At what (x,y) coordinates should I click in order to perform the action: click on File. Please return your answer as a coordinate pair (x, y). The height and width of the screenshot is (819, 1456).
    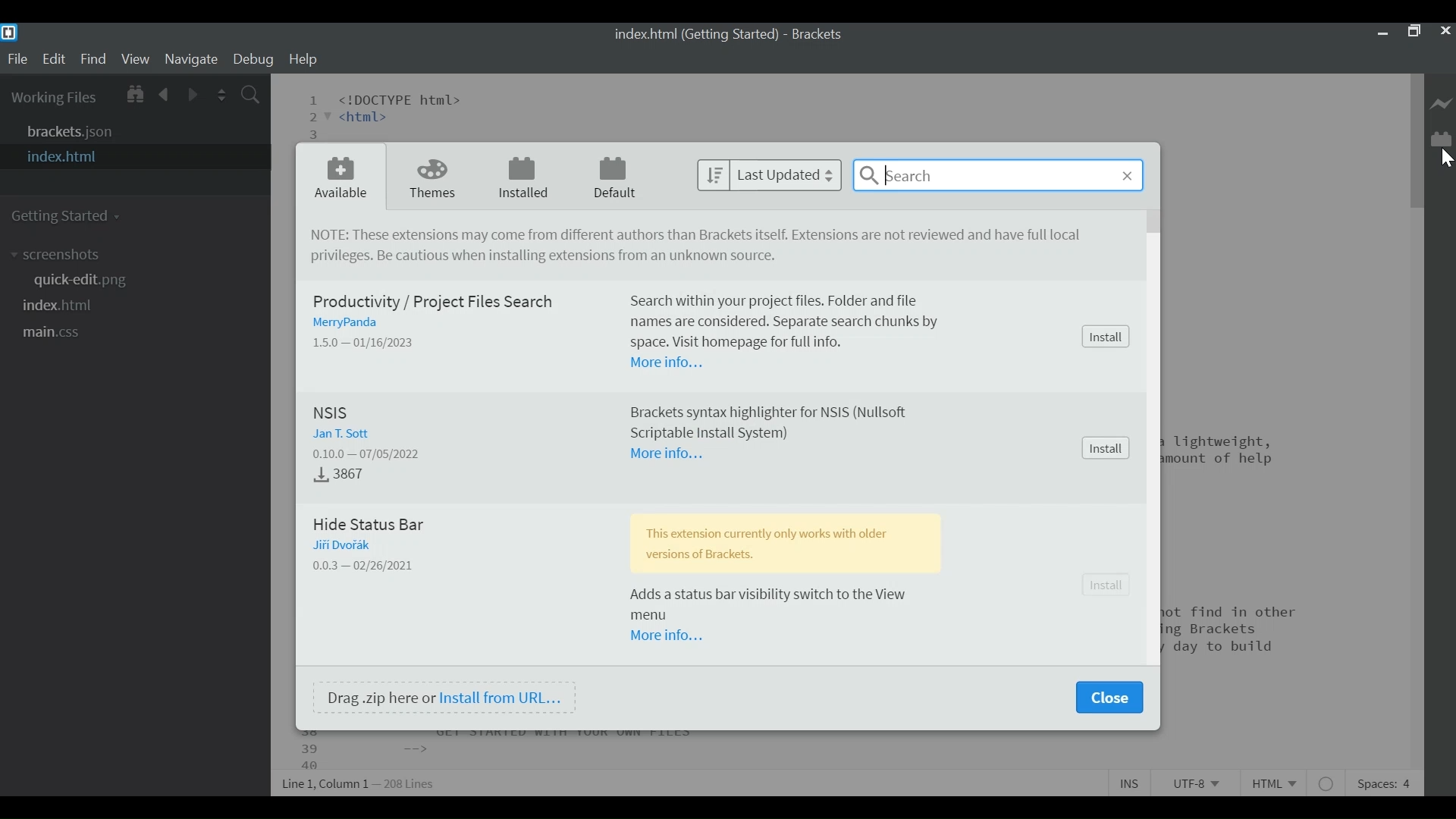
    Looking at the image, I should click on (17, 59).